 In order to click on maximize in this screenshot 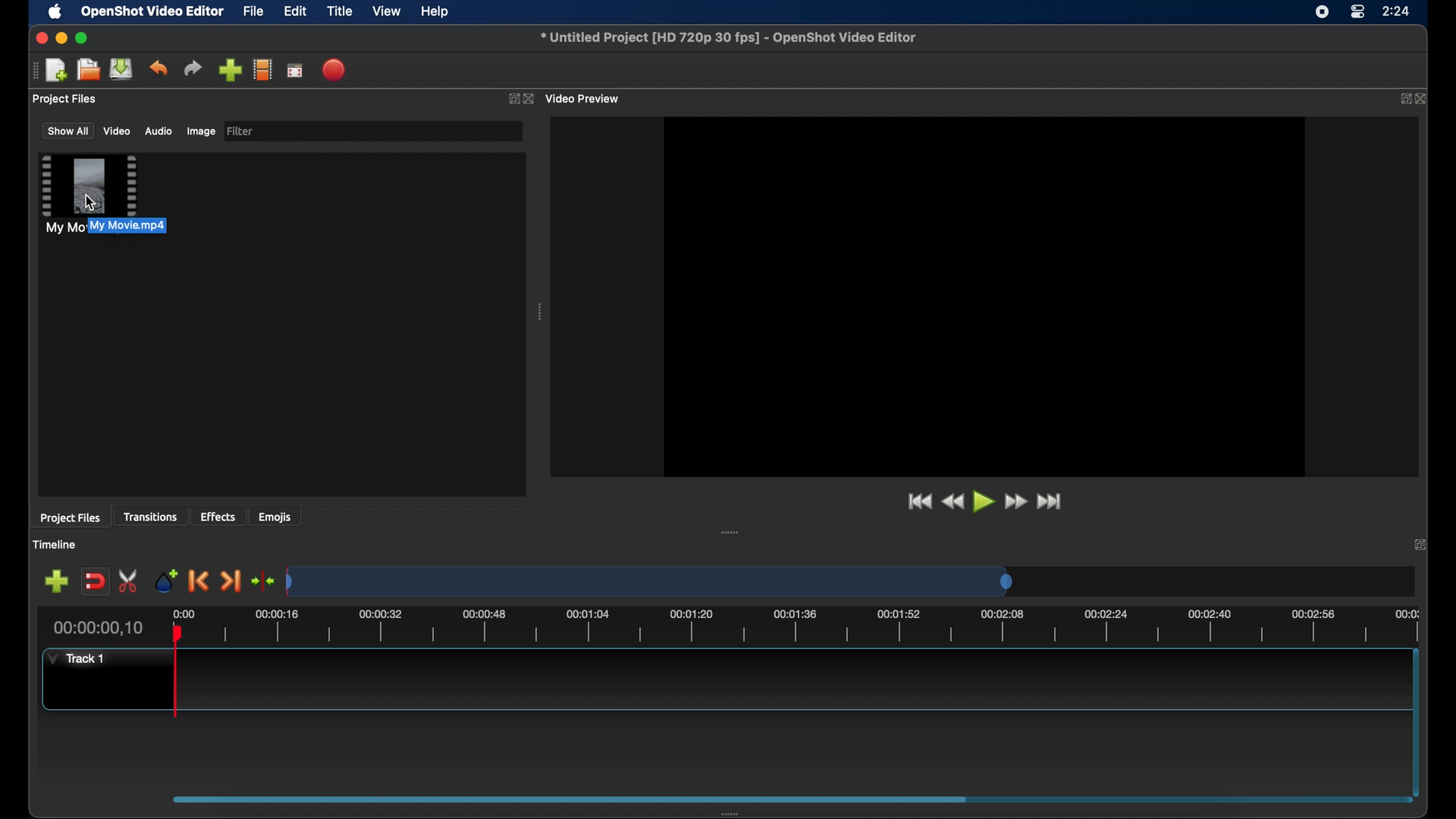, I will do `click(83, 38)`.